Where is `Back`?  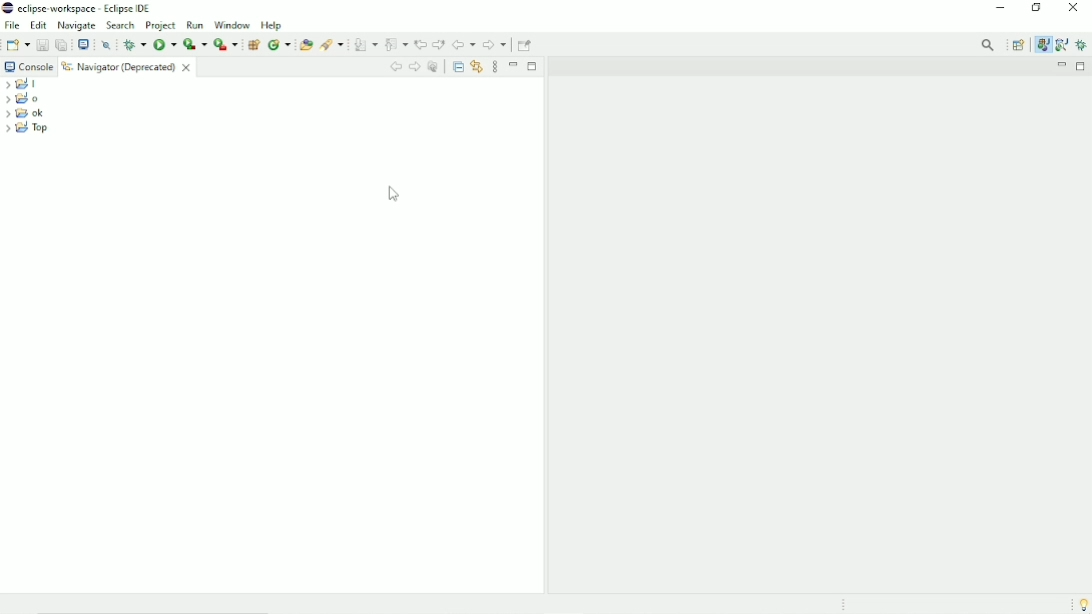
Back is located at coordinates (395, 66).